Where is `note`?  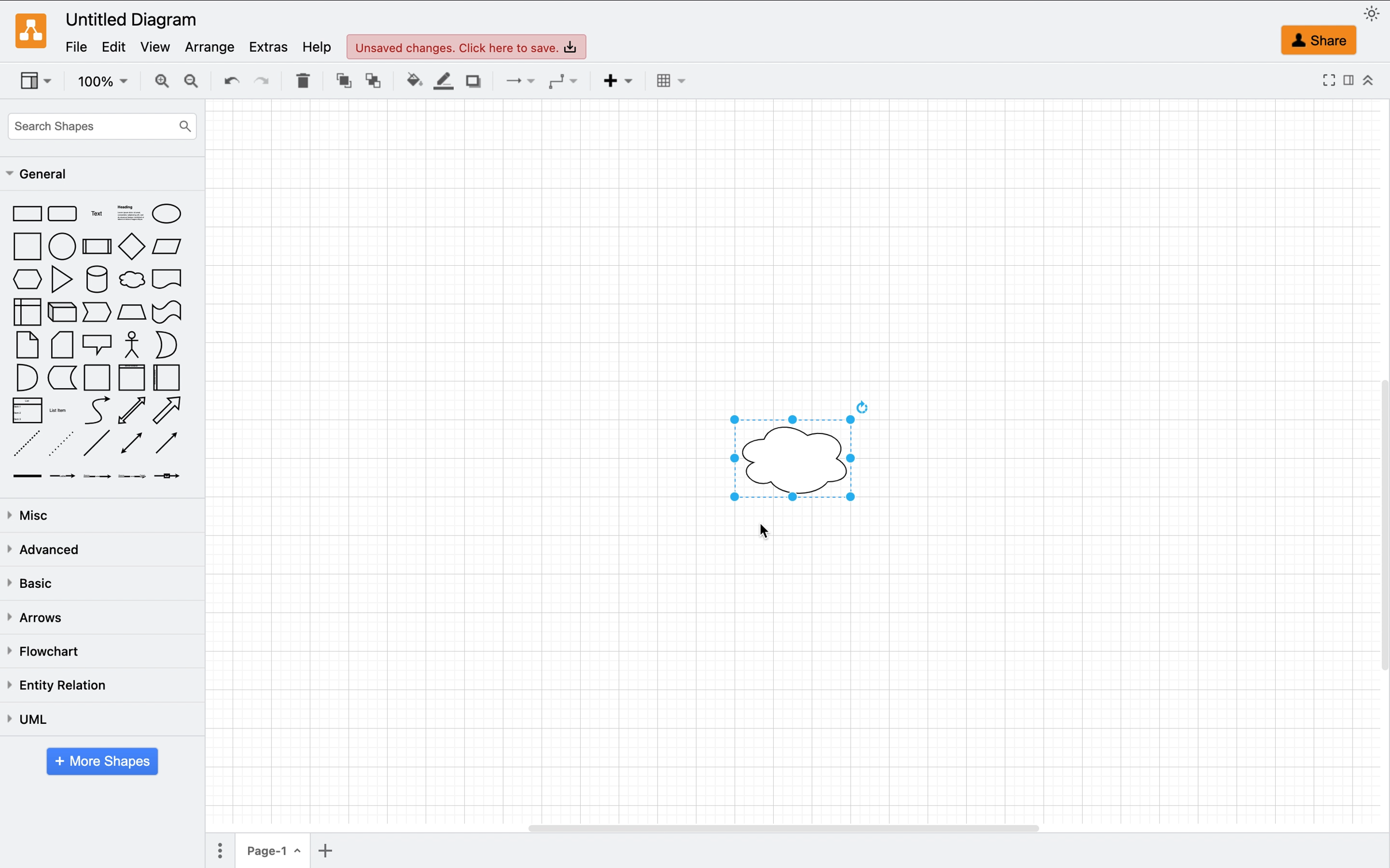 note is located at coordinates (28, 346).